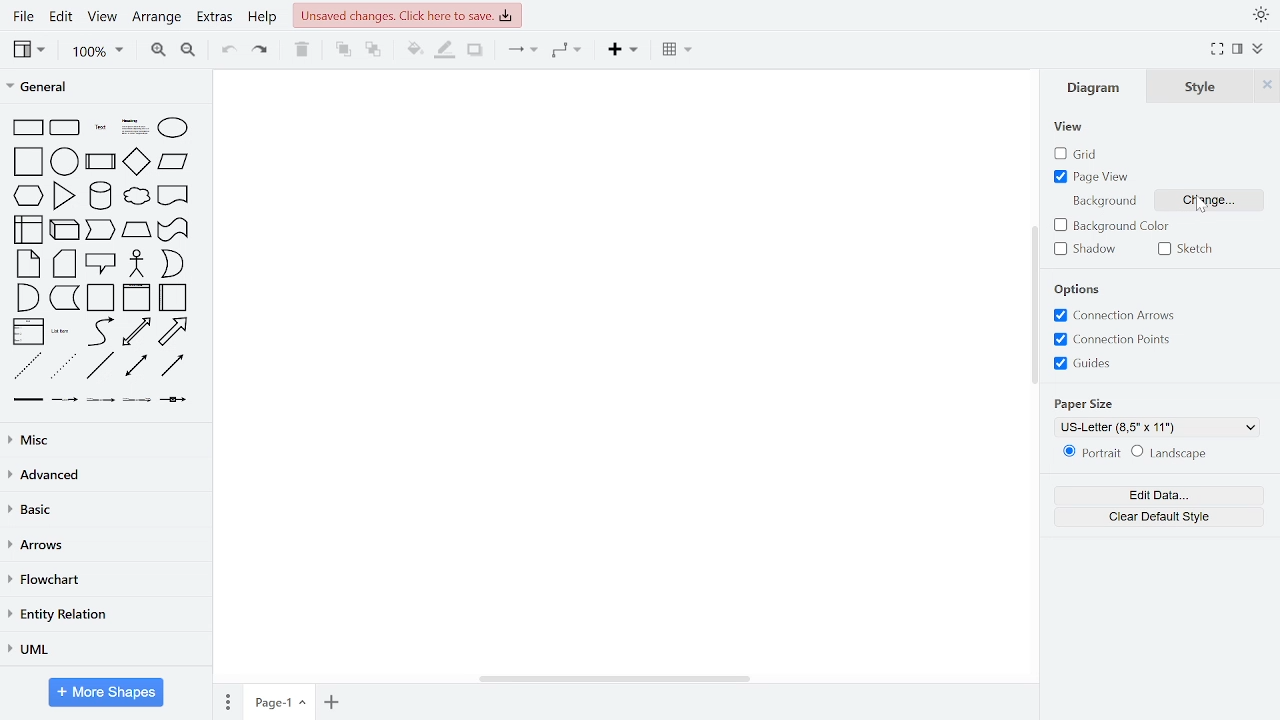 This screenshot has width=1280, height=720. I want to click on general shapes, so click(130, 125).